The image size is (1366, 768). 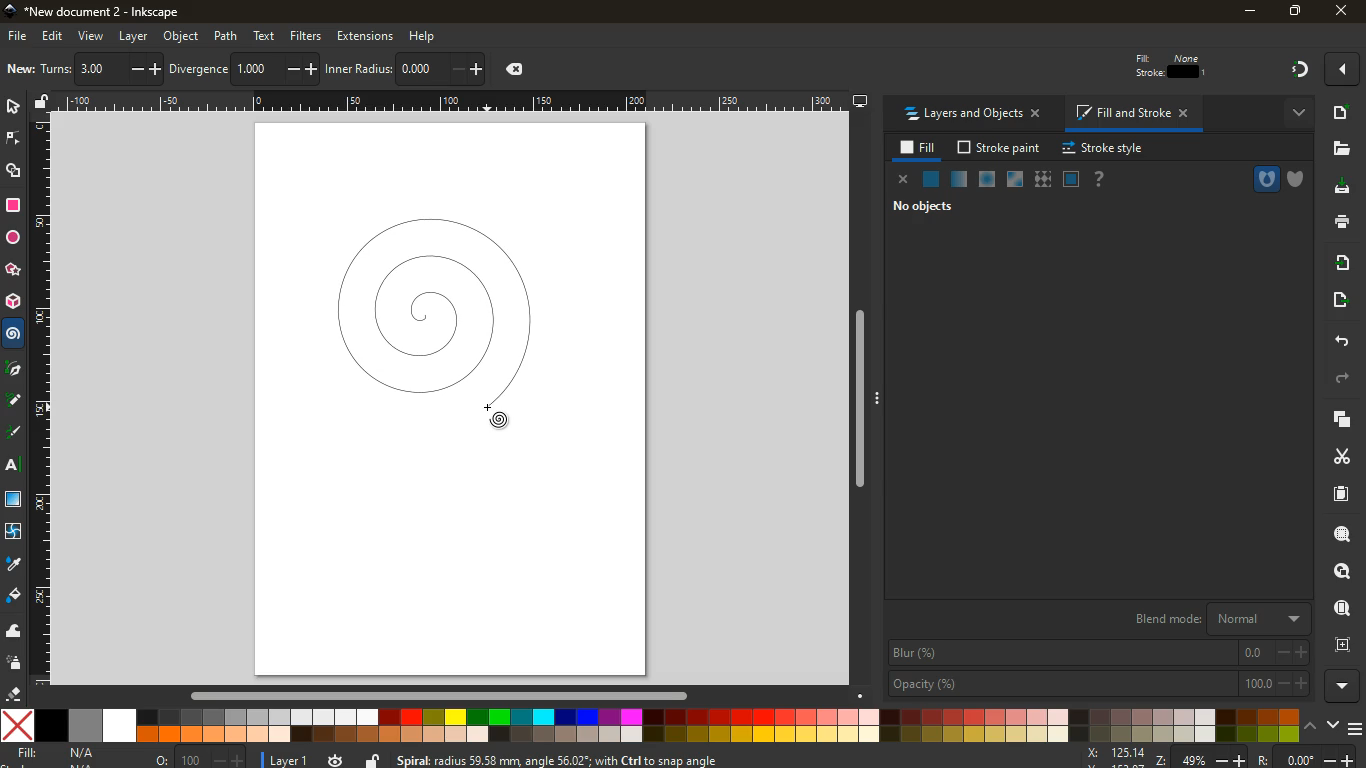 I want to click on edit, so click(x=52, y=38).